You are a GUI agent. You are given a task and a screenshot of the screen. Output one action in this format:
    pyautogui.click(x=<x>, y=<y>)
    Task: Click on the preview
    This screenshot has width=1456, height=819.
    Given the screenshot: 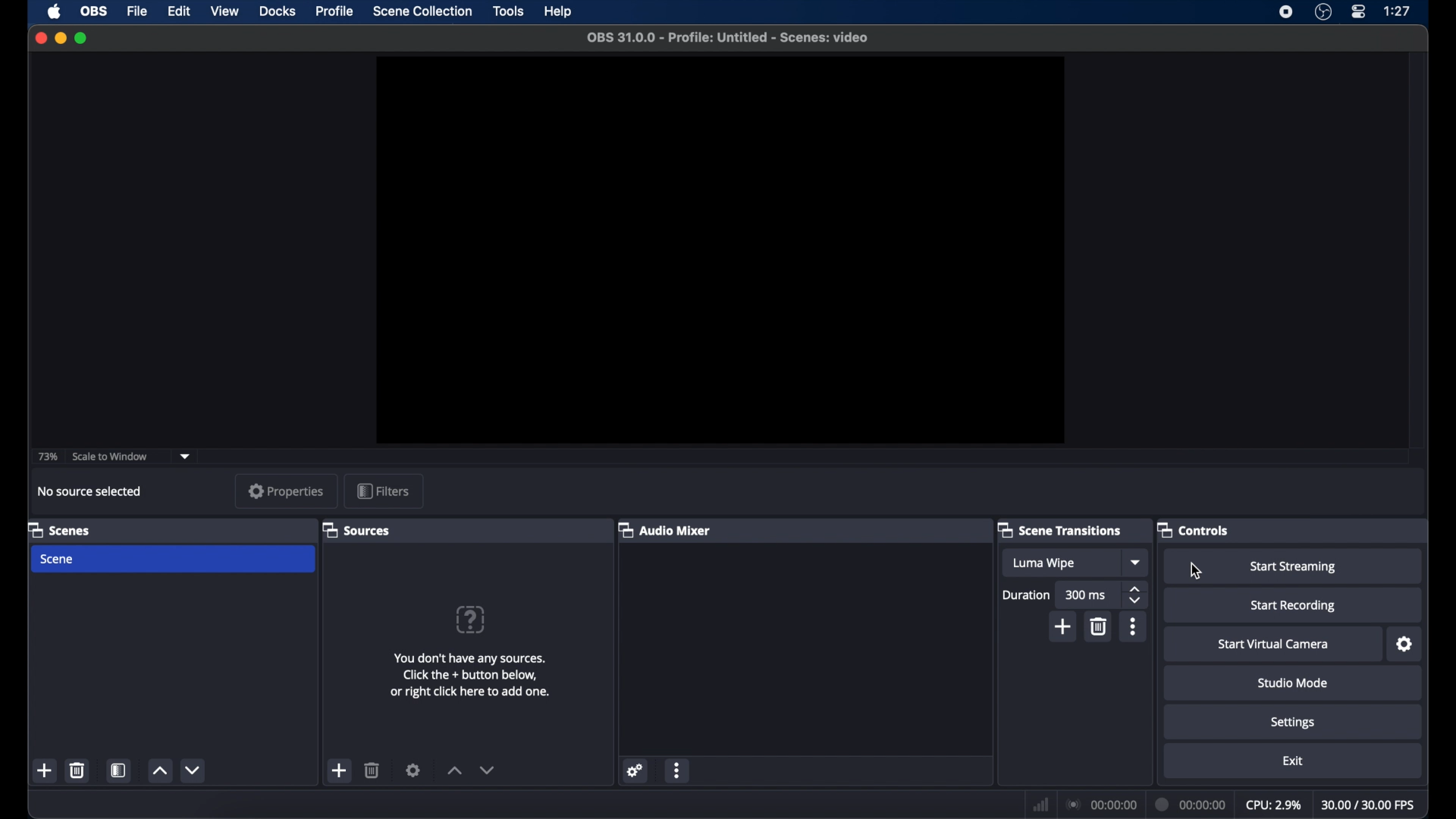 What is the action you would take?
    pyautogui.click(x=718, y=250)
    